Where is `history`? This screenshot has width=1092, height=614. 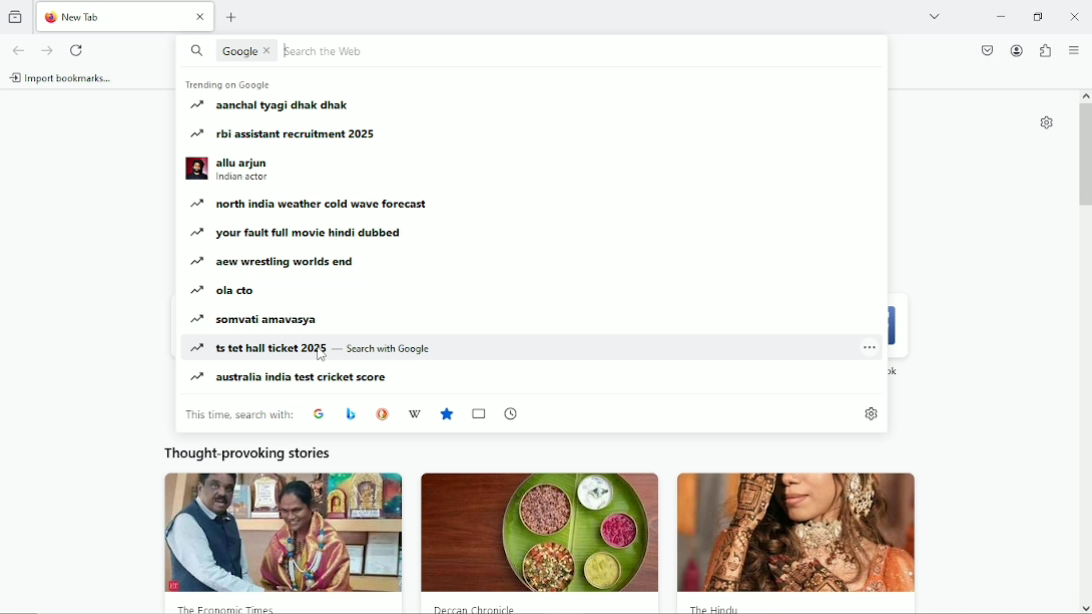 history is located at coordinates (512, 413).